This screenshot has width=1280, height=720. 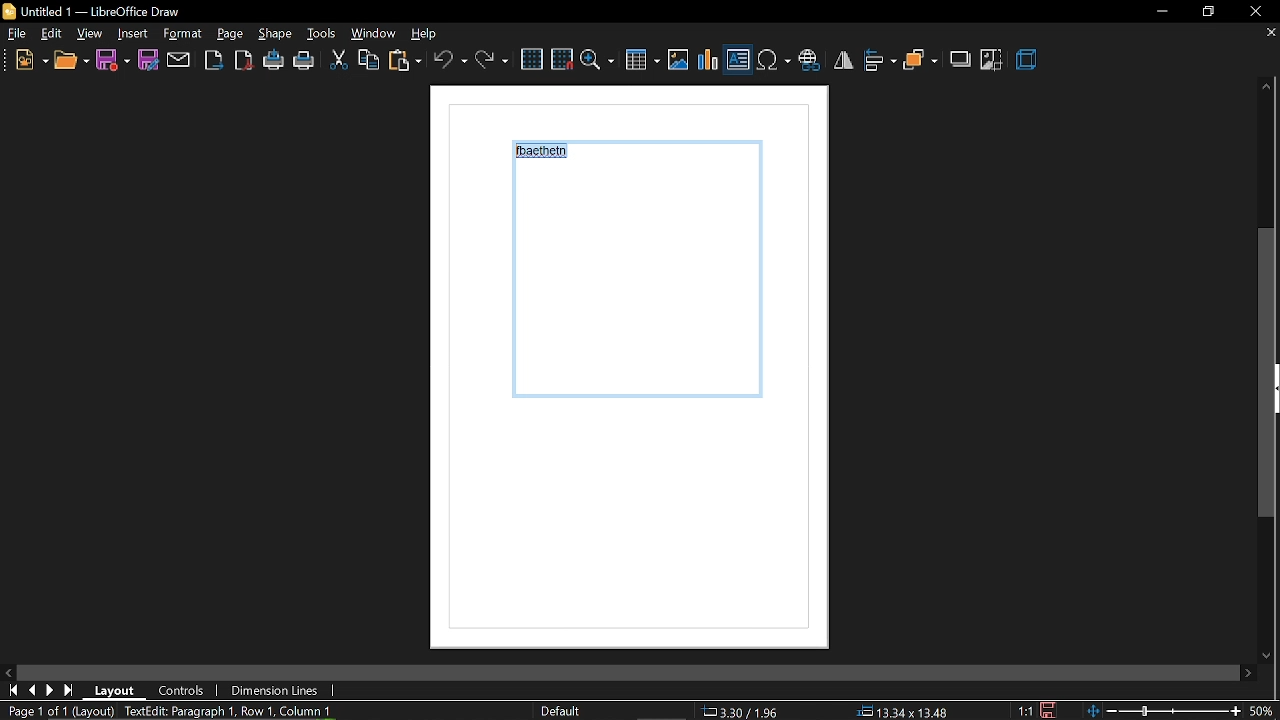 What do you see at coordinates (375, 33) in the screenshot?
I see `window` at bounding box center [375, 33].